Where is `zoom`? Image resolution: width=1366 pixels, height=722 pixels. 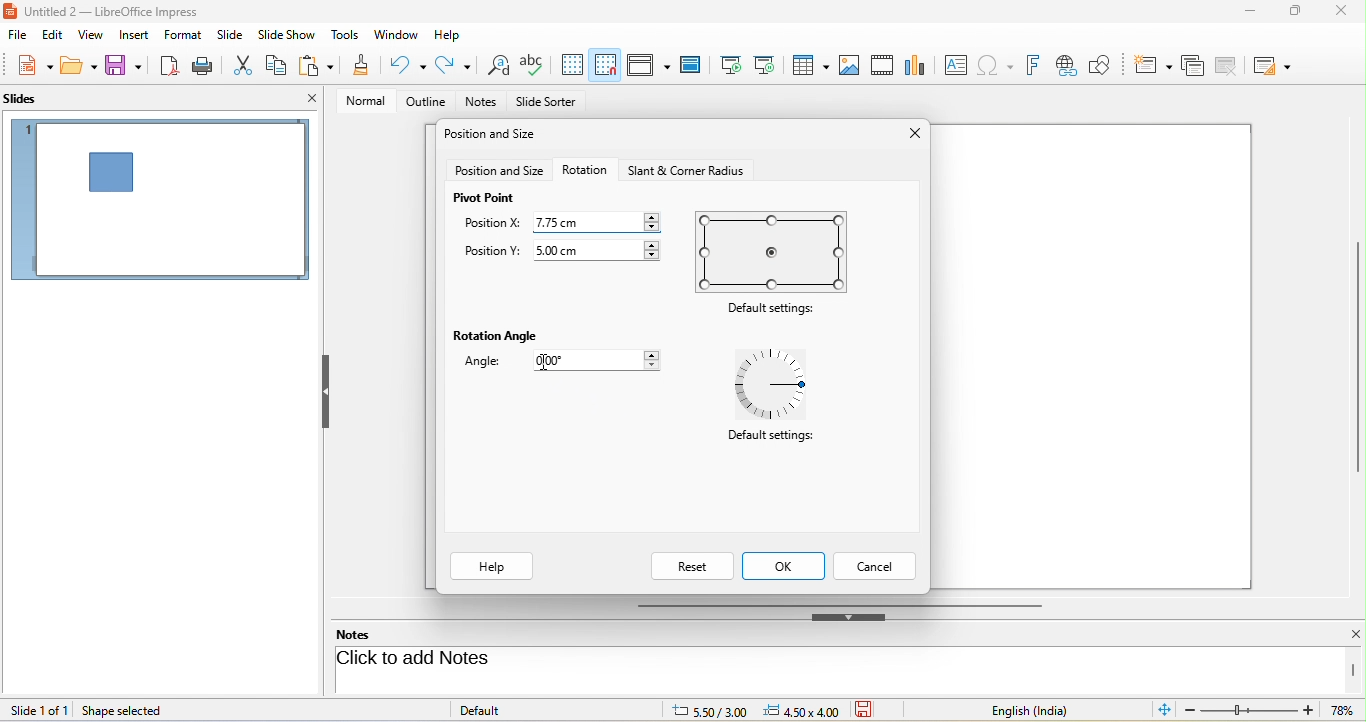 zoom is located at coordinates (1273, 712).